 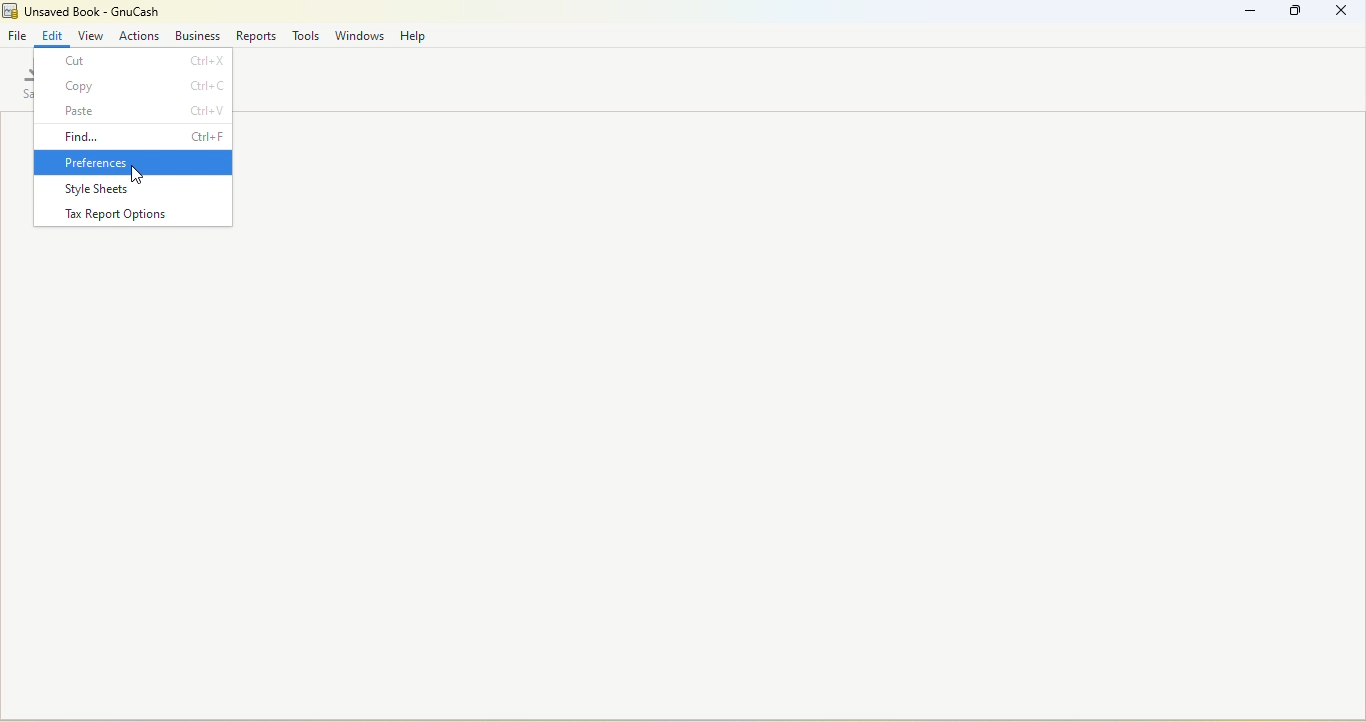 What do you see at coordinates (306, 34) in the screenshot?
I see `Tools` at bounding box center [306, 34].